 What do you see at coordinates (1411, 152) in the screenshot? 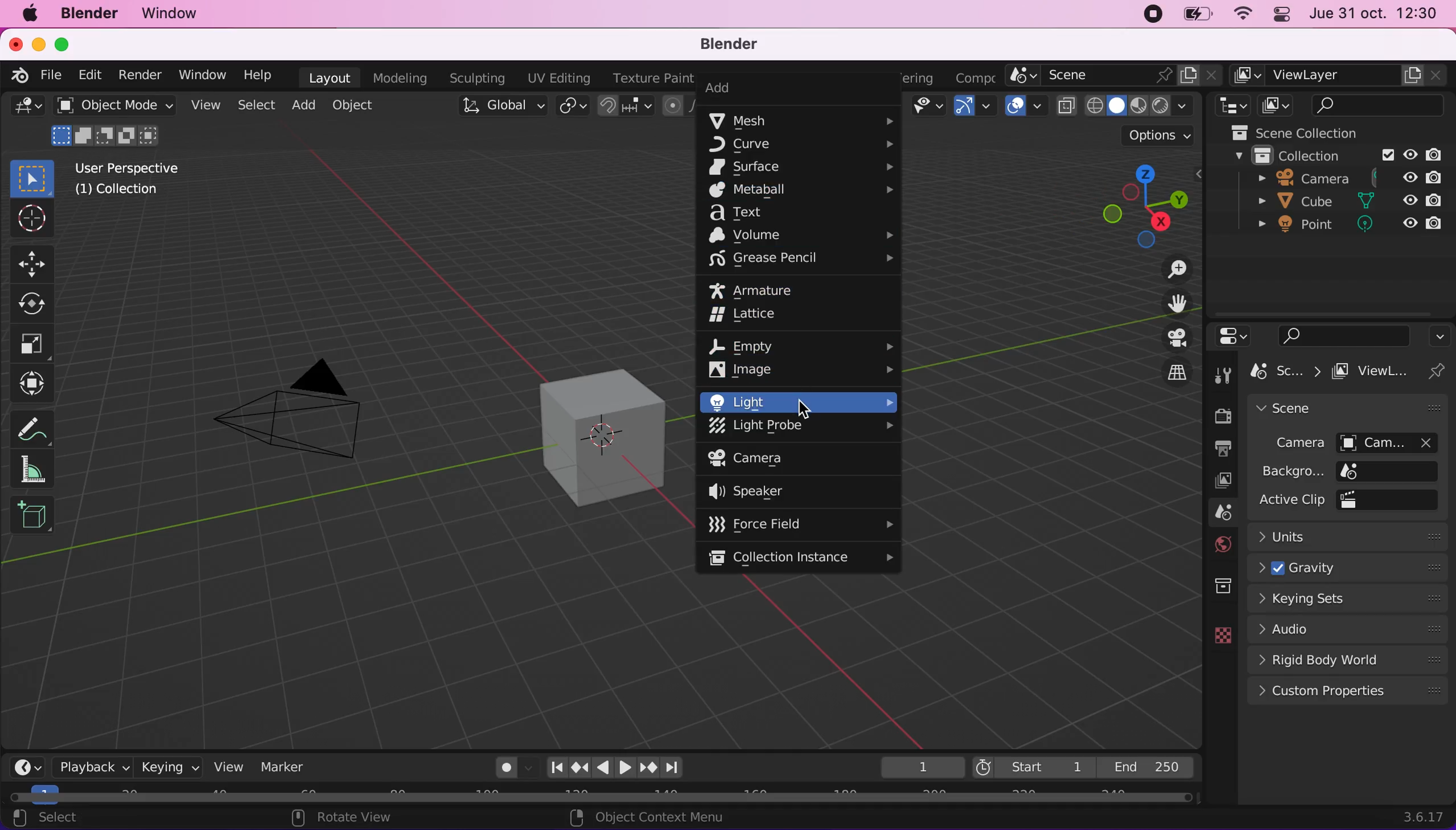
I see `hide in viewpoint` at bounding box center [1411, 152].